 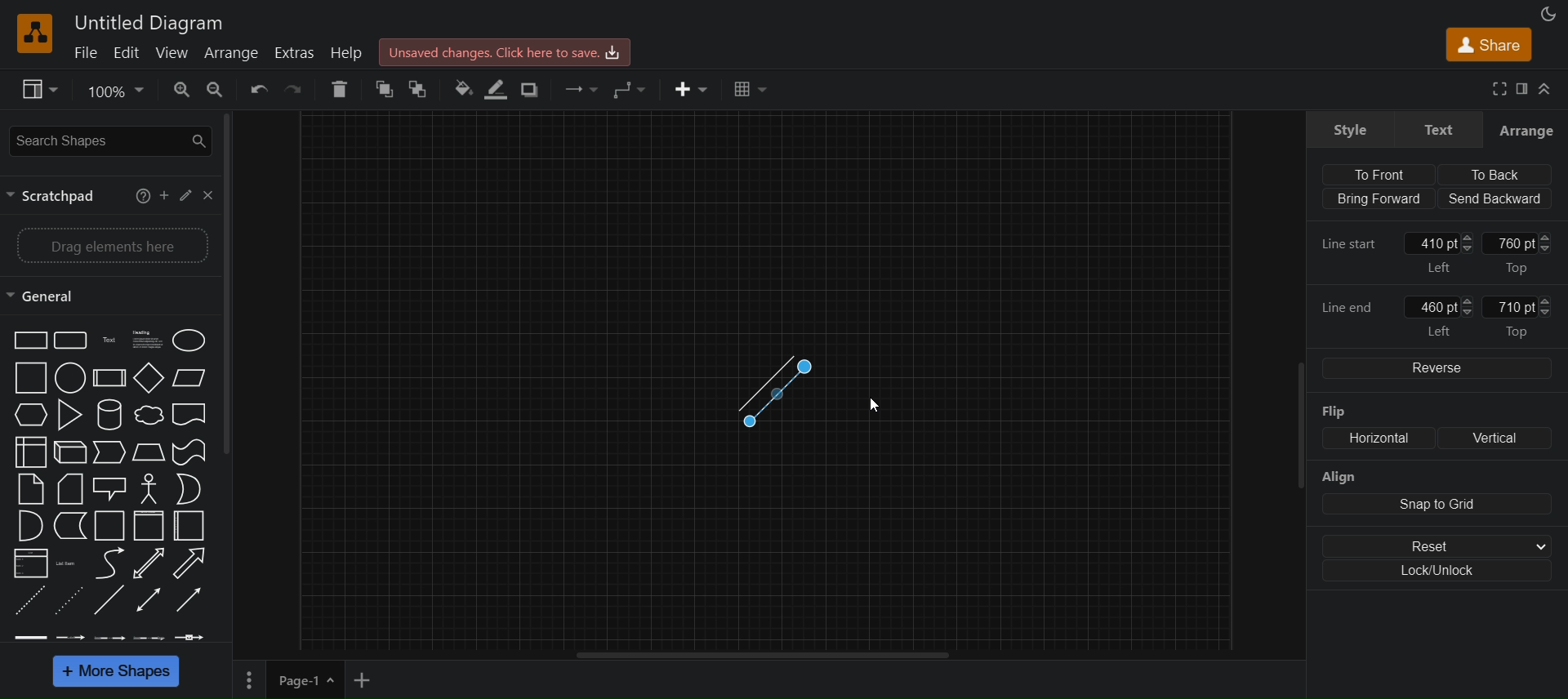 What do you see at coordinates (217, 89) in the screenshot?
I see `zoom out` at bounding box center [217, 89].